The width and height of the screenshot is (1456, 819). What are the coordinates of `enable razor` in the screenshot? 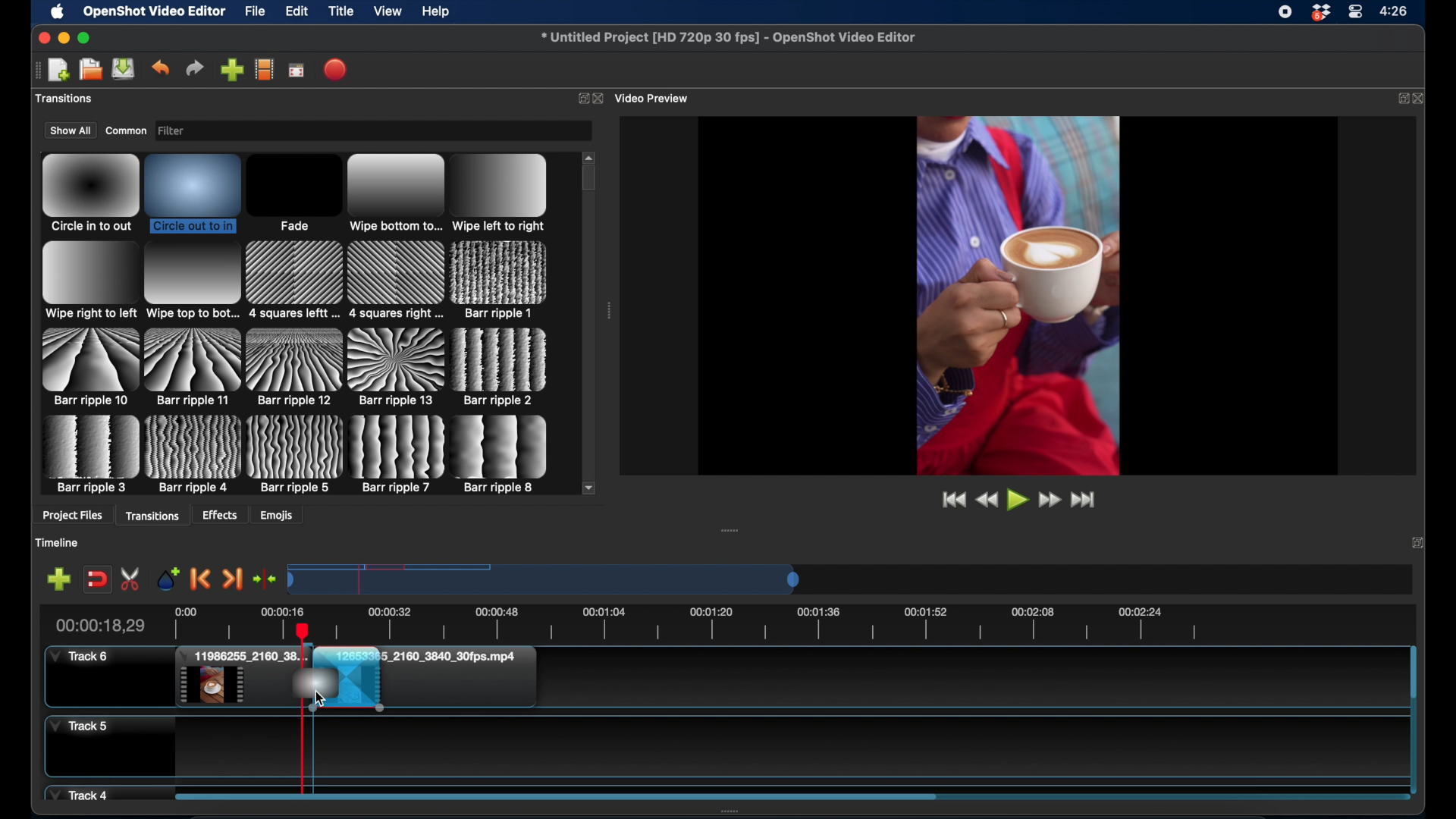 It's located at (132, 579).